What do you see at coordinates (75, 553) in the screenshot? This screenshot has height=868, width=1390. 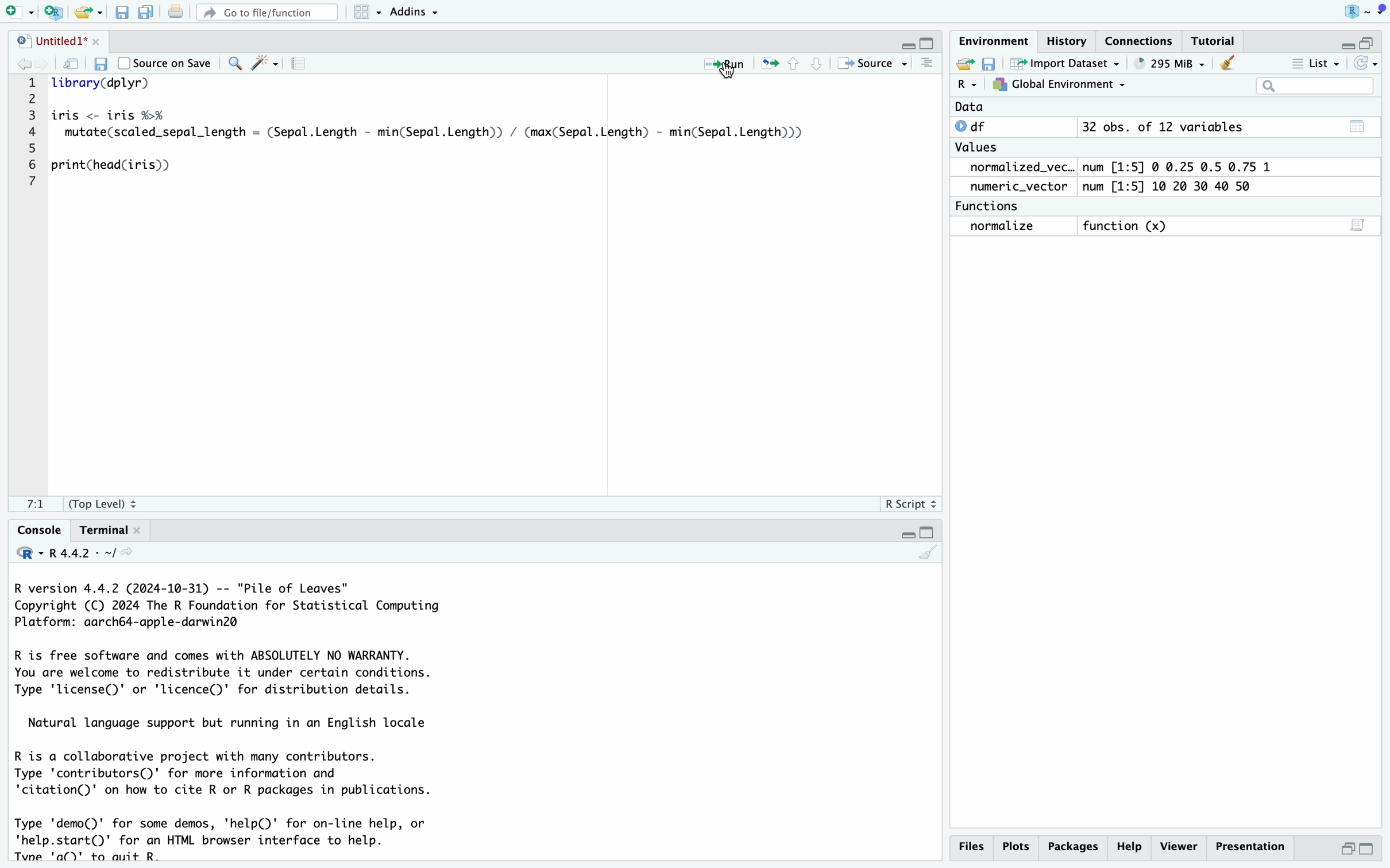 I see `R.4.4.2` at bounding box center [75, 553].